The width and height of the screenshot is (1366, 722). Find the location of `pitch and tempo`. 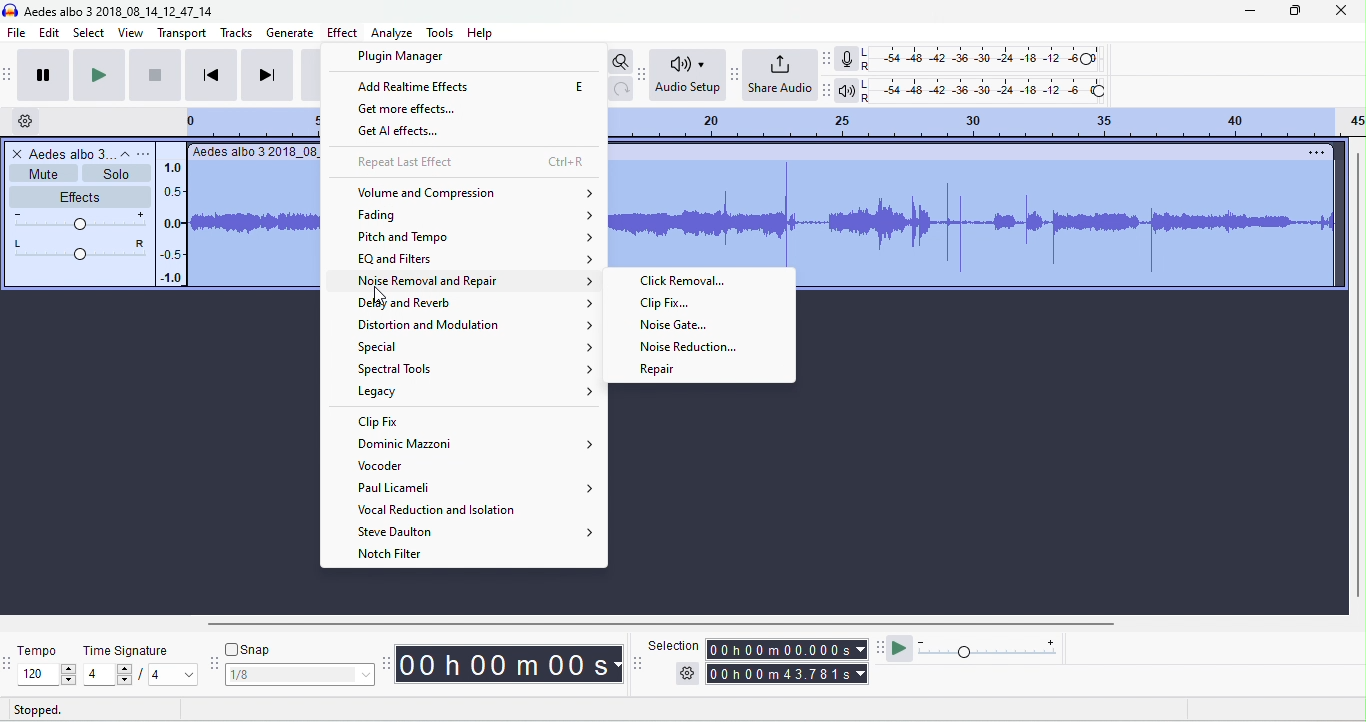

pitch and tempo is located at coordinates (476, 237).